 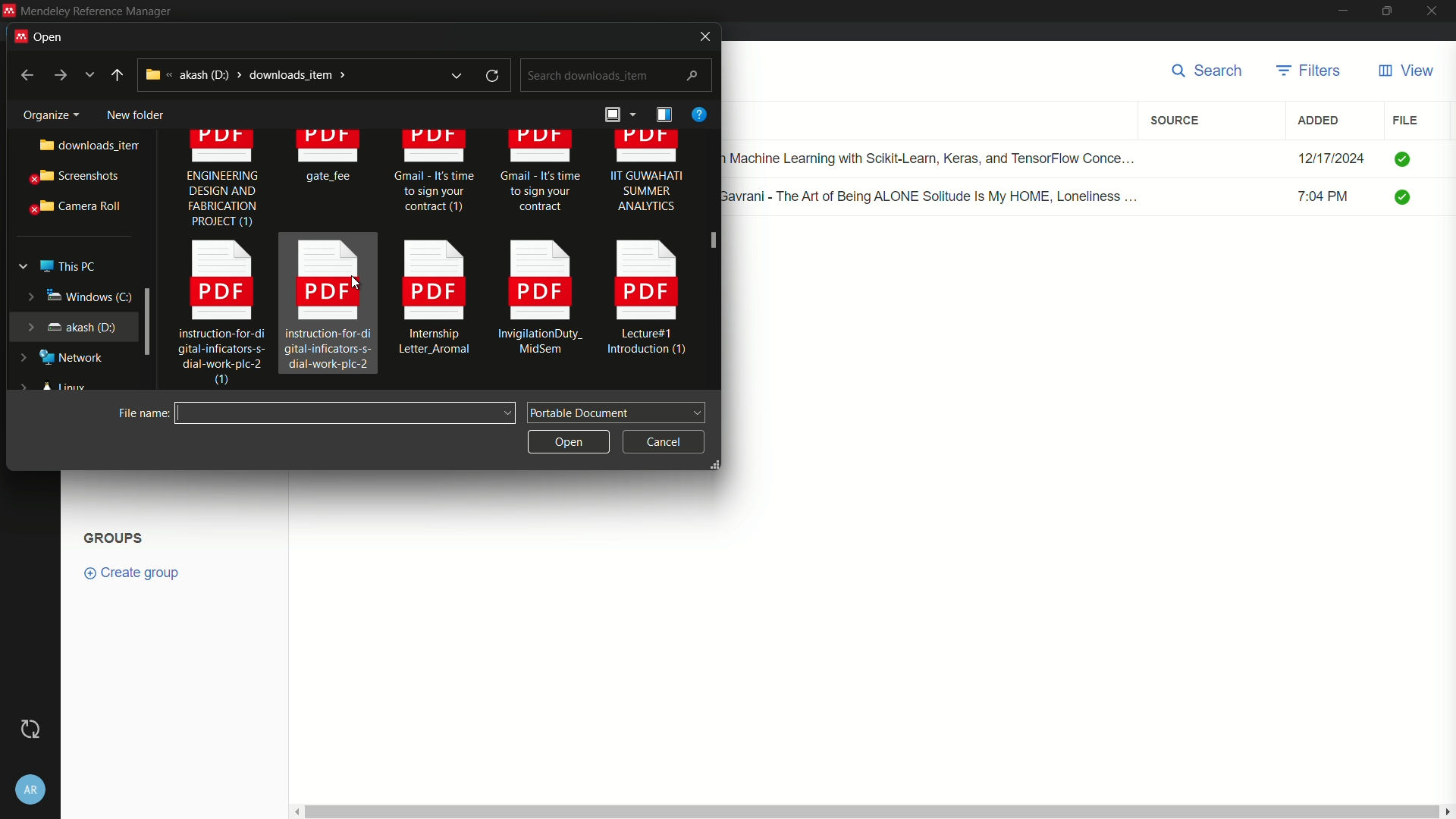 I want to click on help, so click(x=698, y=114).